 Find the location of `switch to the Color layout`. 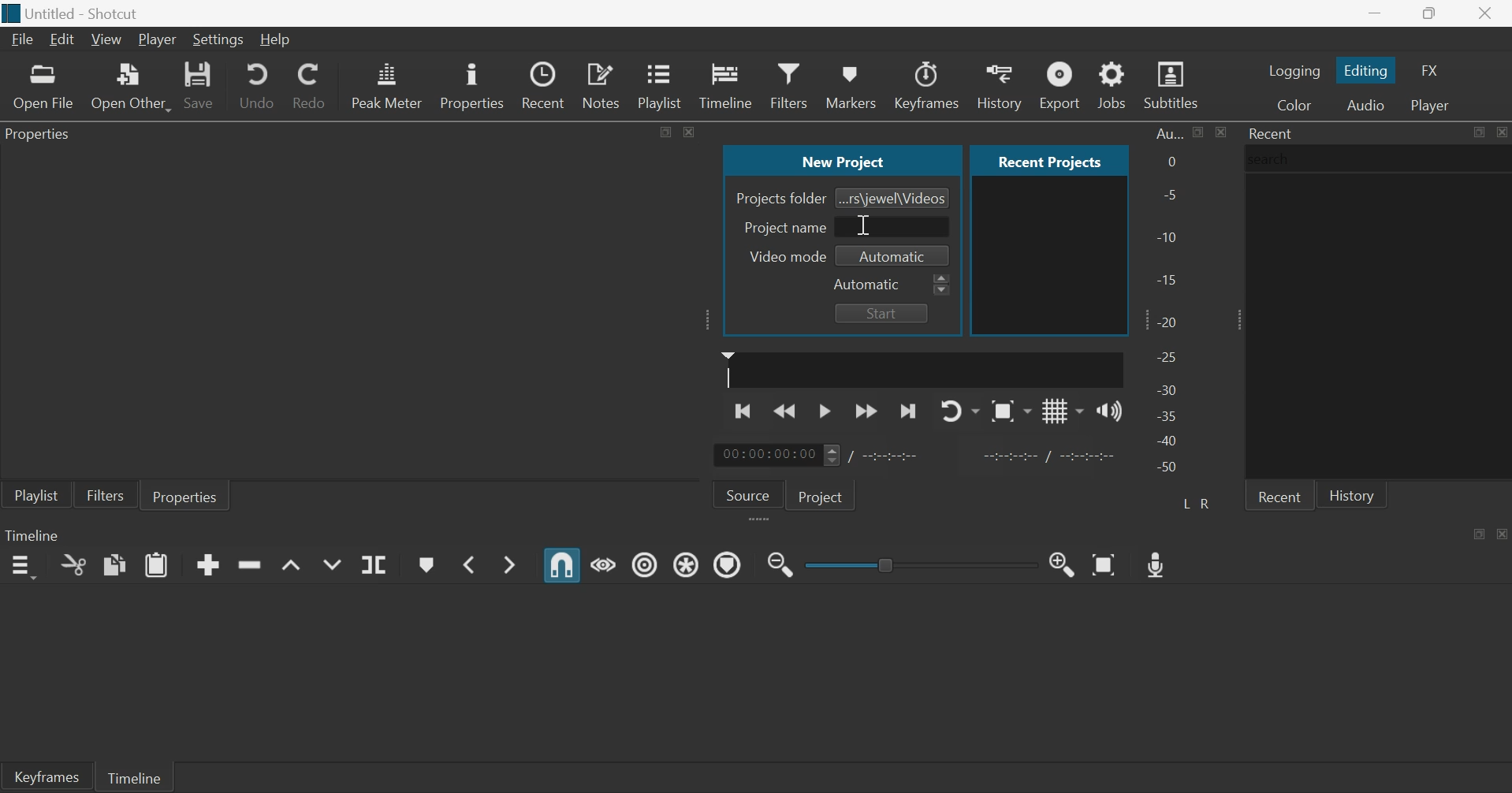

switch to the Color layout is located at coordinates (1294, 104).